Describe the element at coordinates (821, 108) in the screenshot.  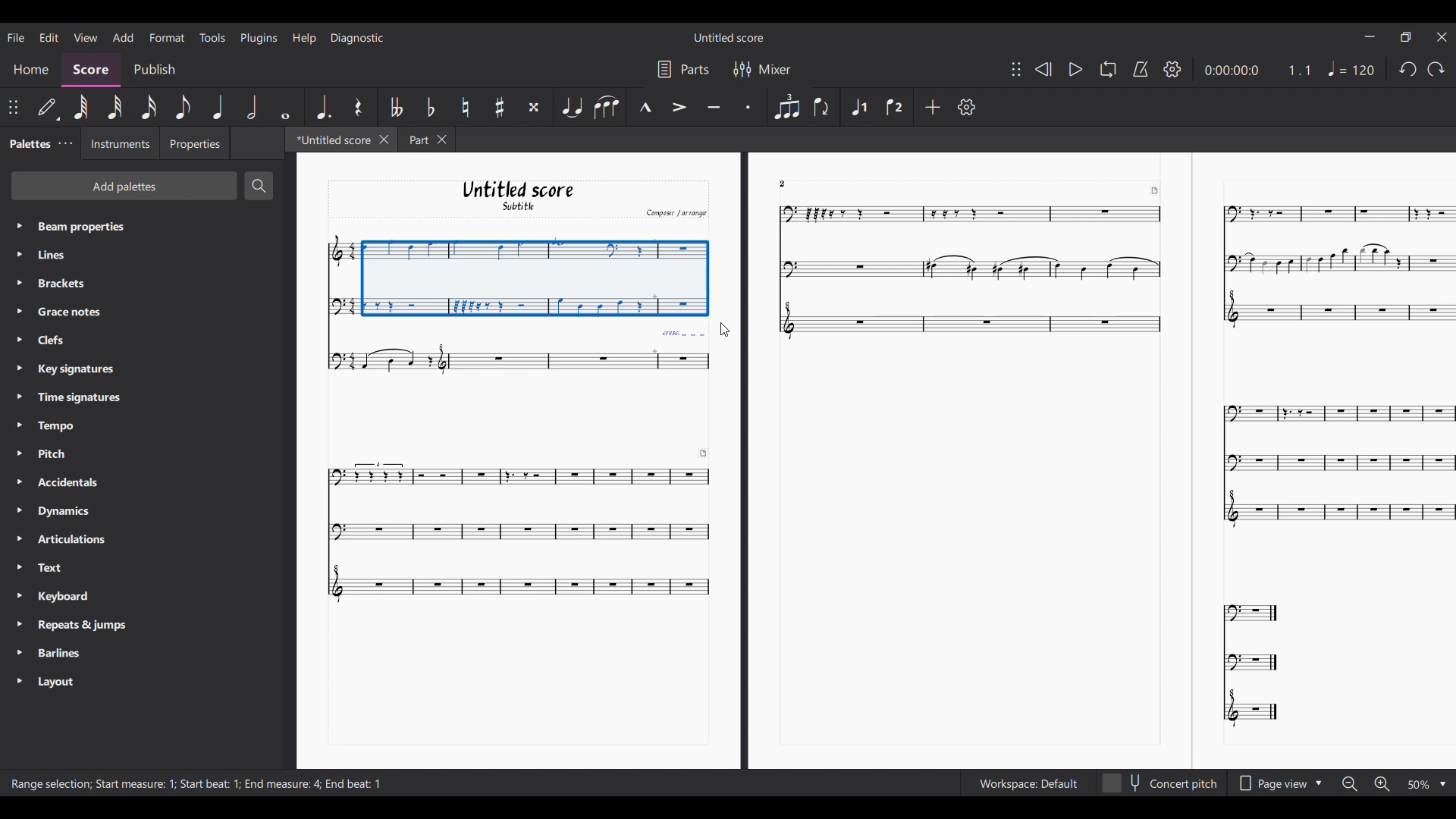
I see `Flip direction` at that location.